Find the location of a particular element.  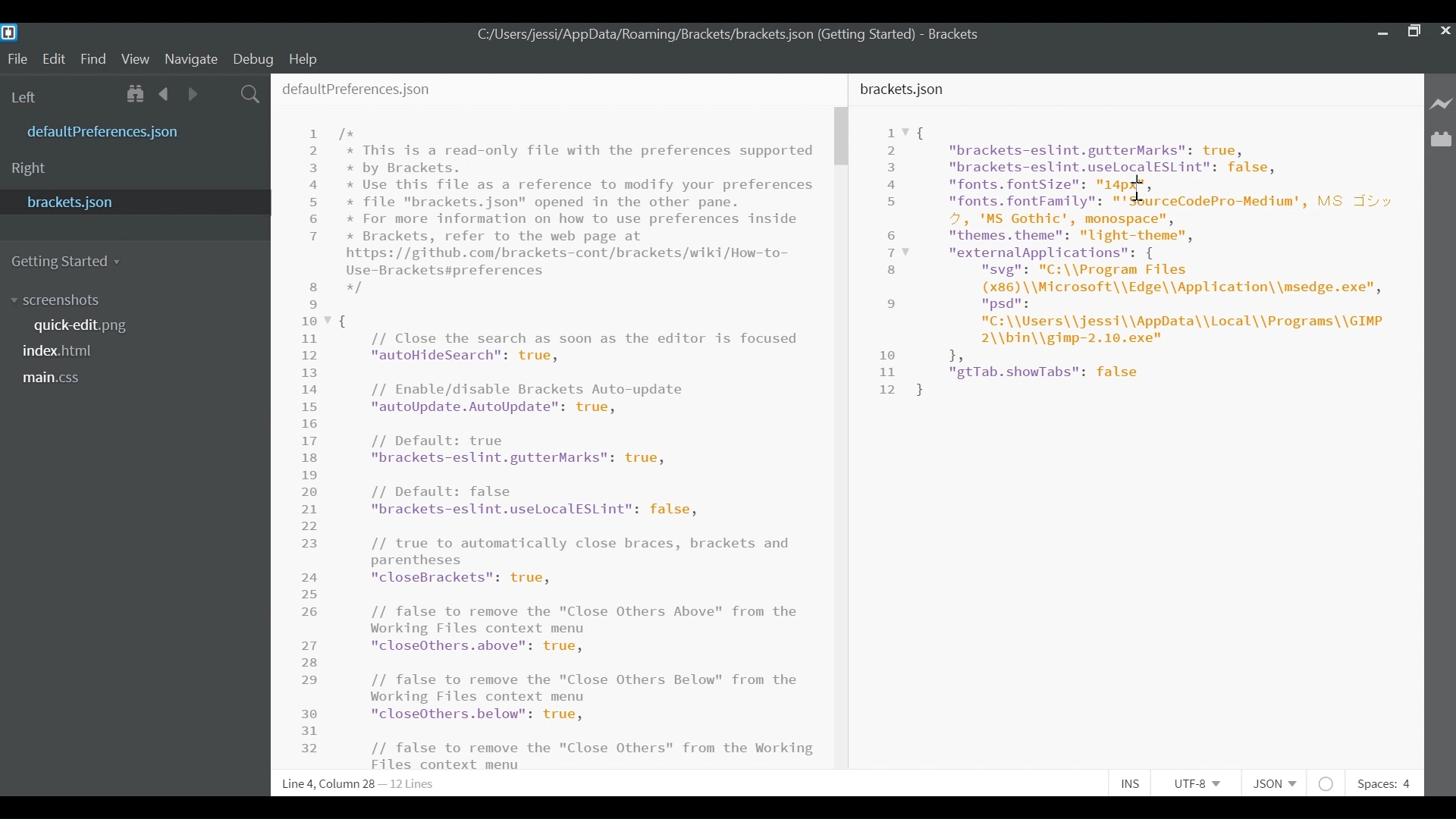

Maximize is located at coordinates (1414, 33).